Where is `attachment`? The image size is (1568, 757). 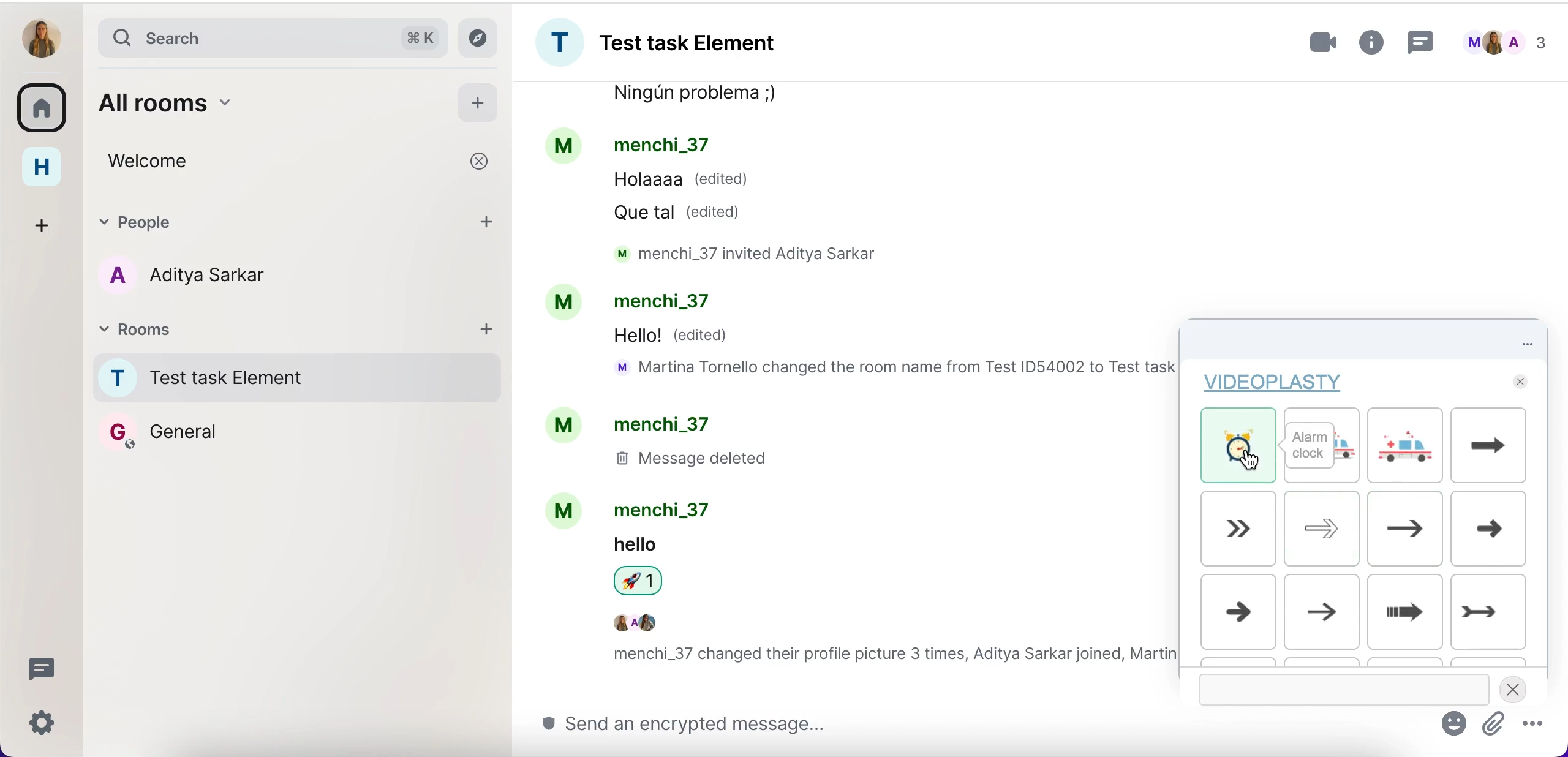
attachment is located at coordinates (1496, 724).